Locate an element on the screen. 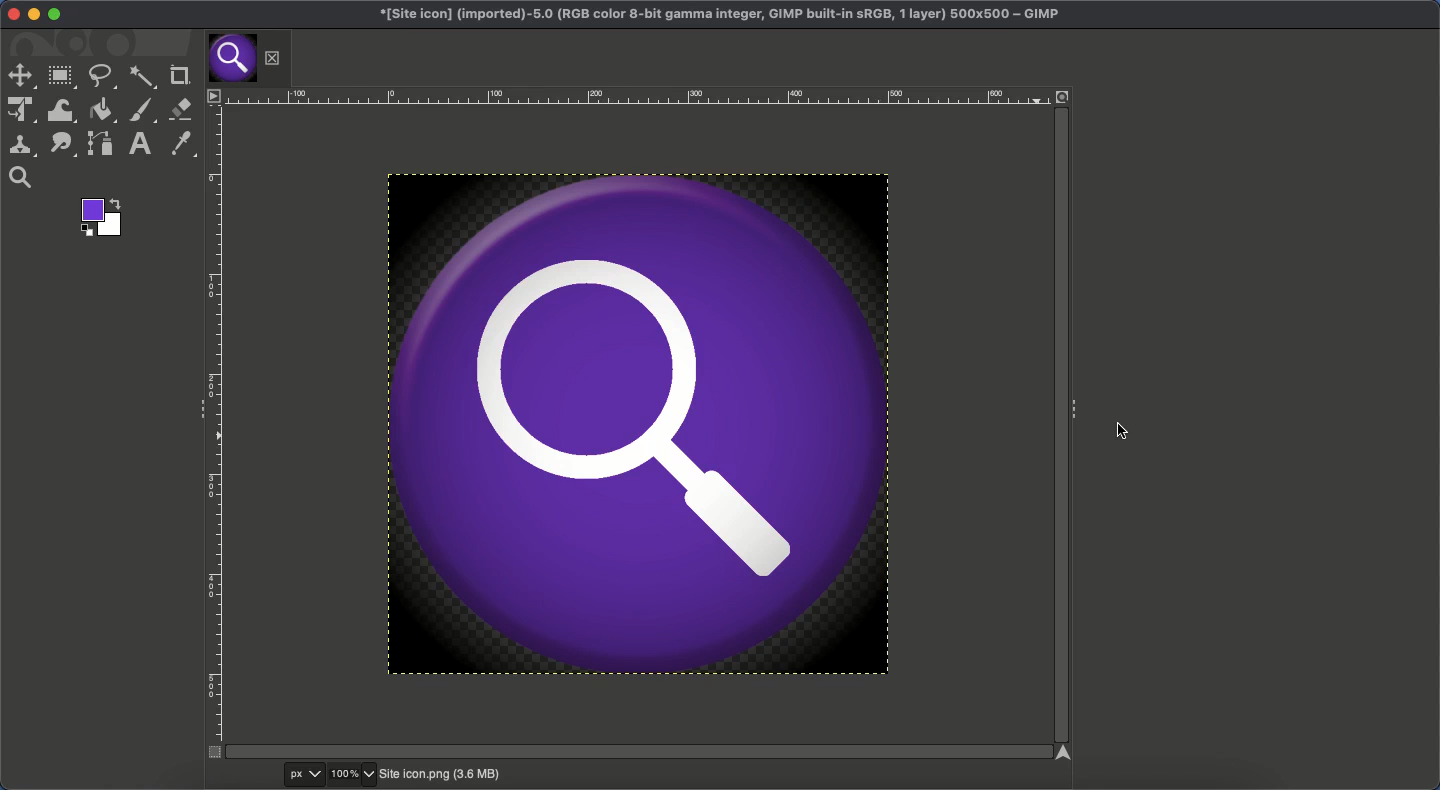  Clone is located at coordinates (21, 145).